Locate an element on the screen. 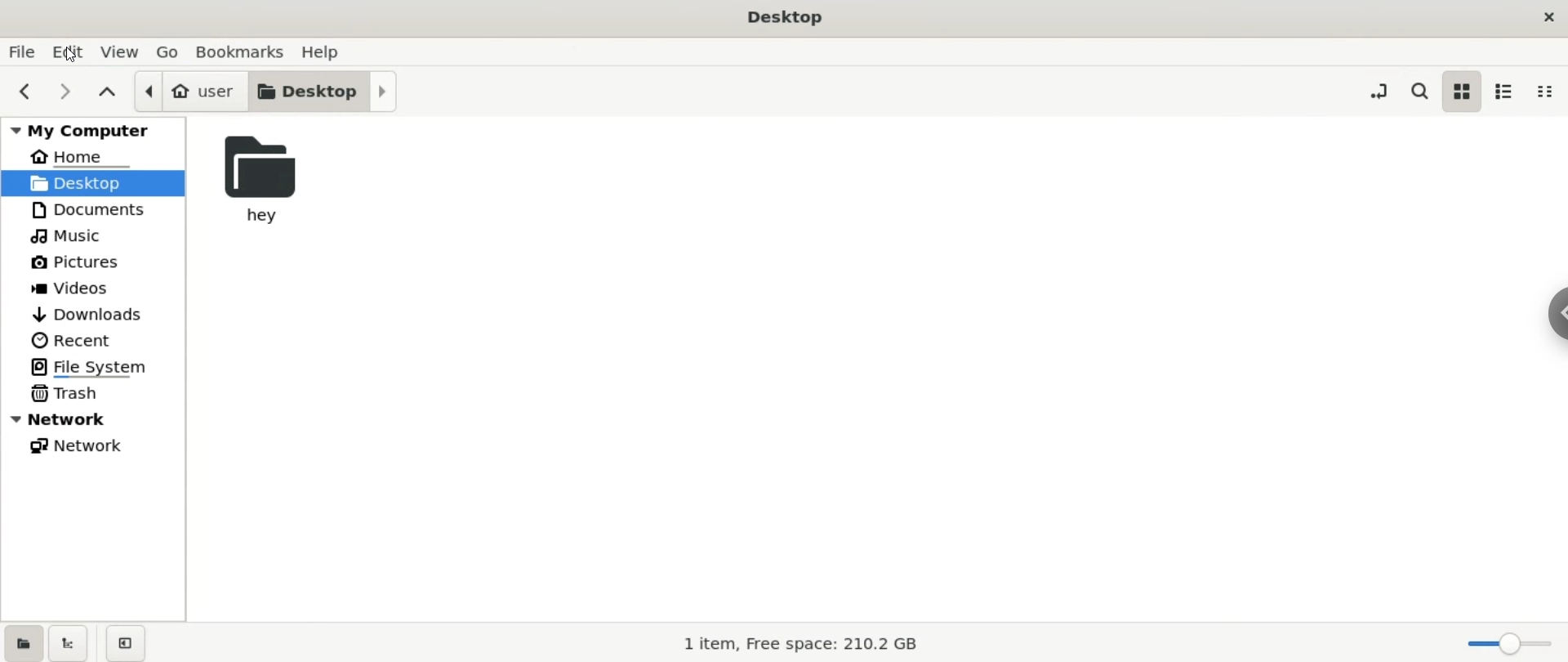  search is located at coordinates (1419, 92).